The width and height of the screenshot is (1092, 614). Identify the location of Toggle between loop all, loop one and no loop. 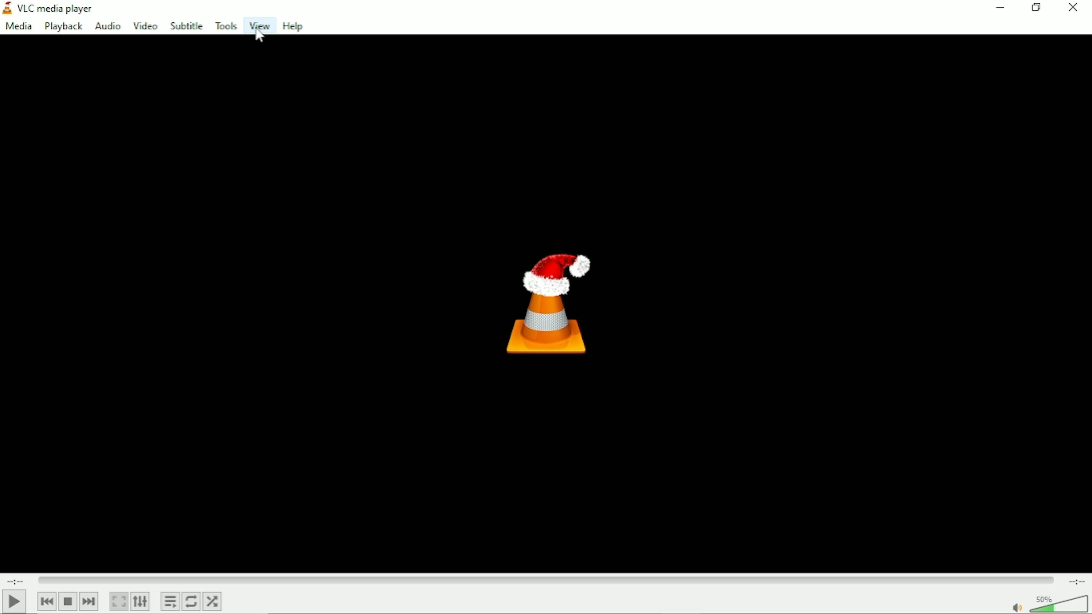
(190, 601).